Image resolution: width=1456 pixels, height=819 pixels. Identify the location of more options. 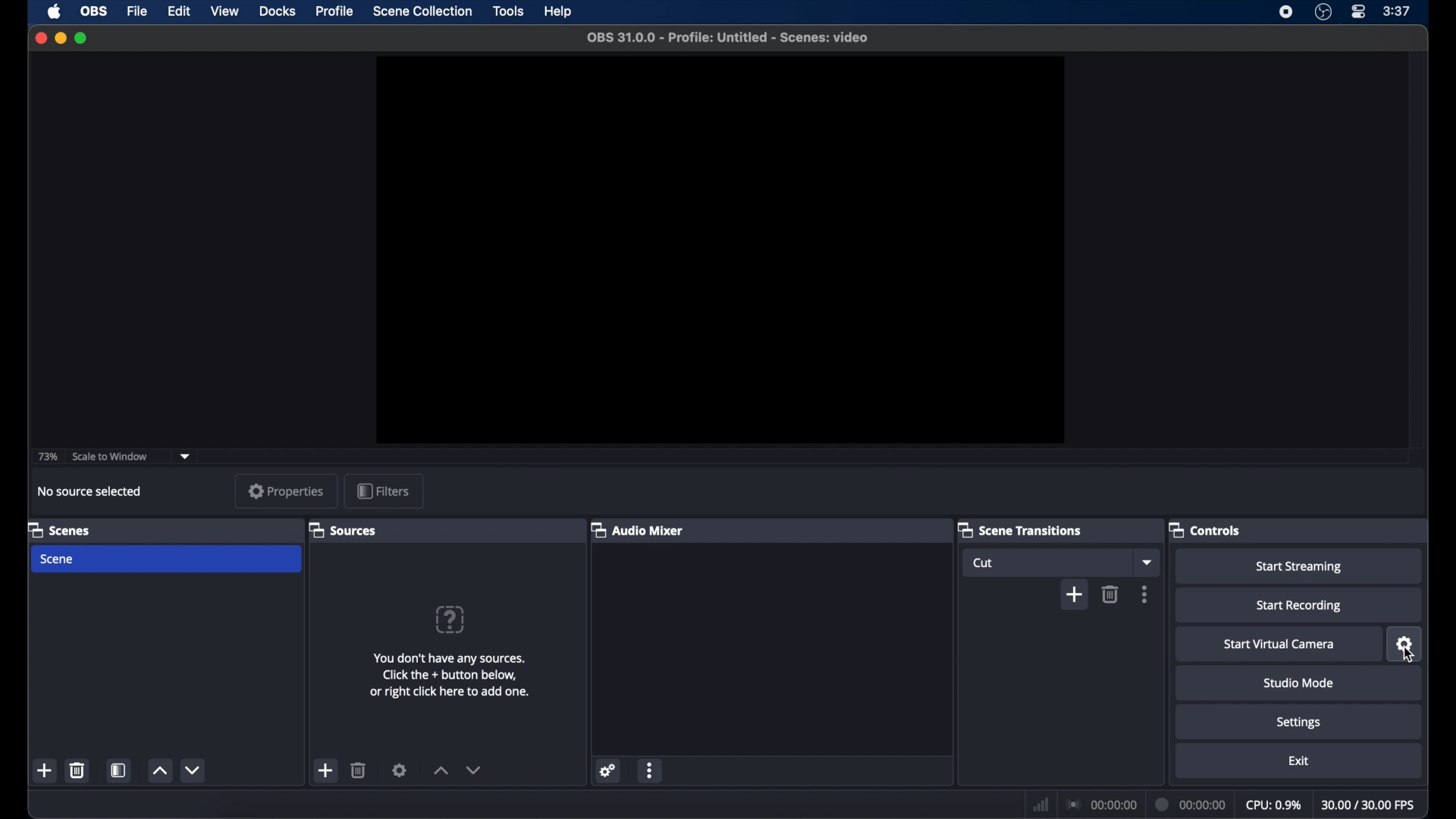
(1145, 595).